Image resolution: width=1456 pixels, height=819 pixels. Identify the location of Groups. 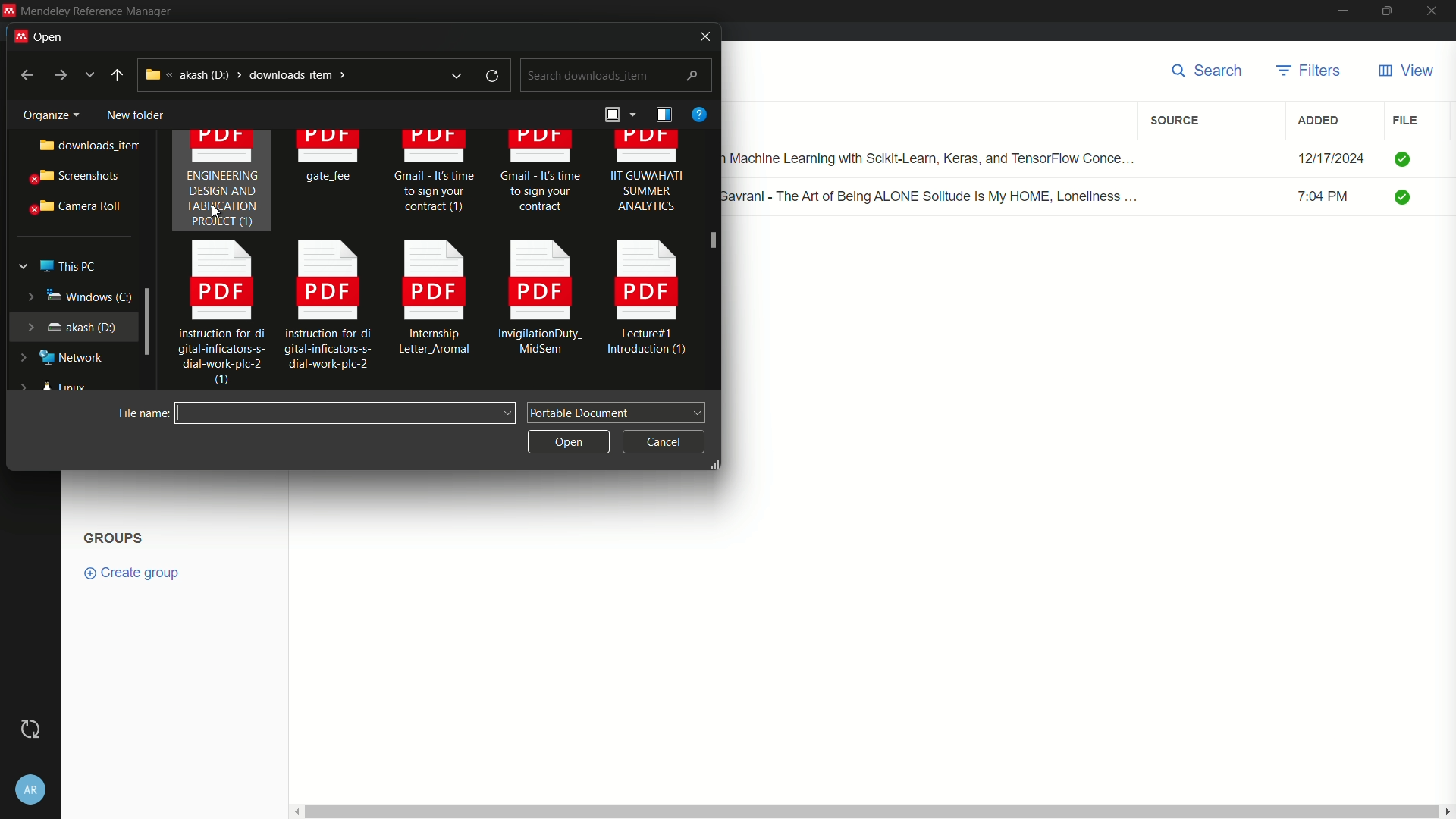
(116, 536).